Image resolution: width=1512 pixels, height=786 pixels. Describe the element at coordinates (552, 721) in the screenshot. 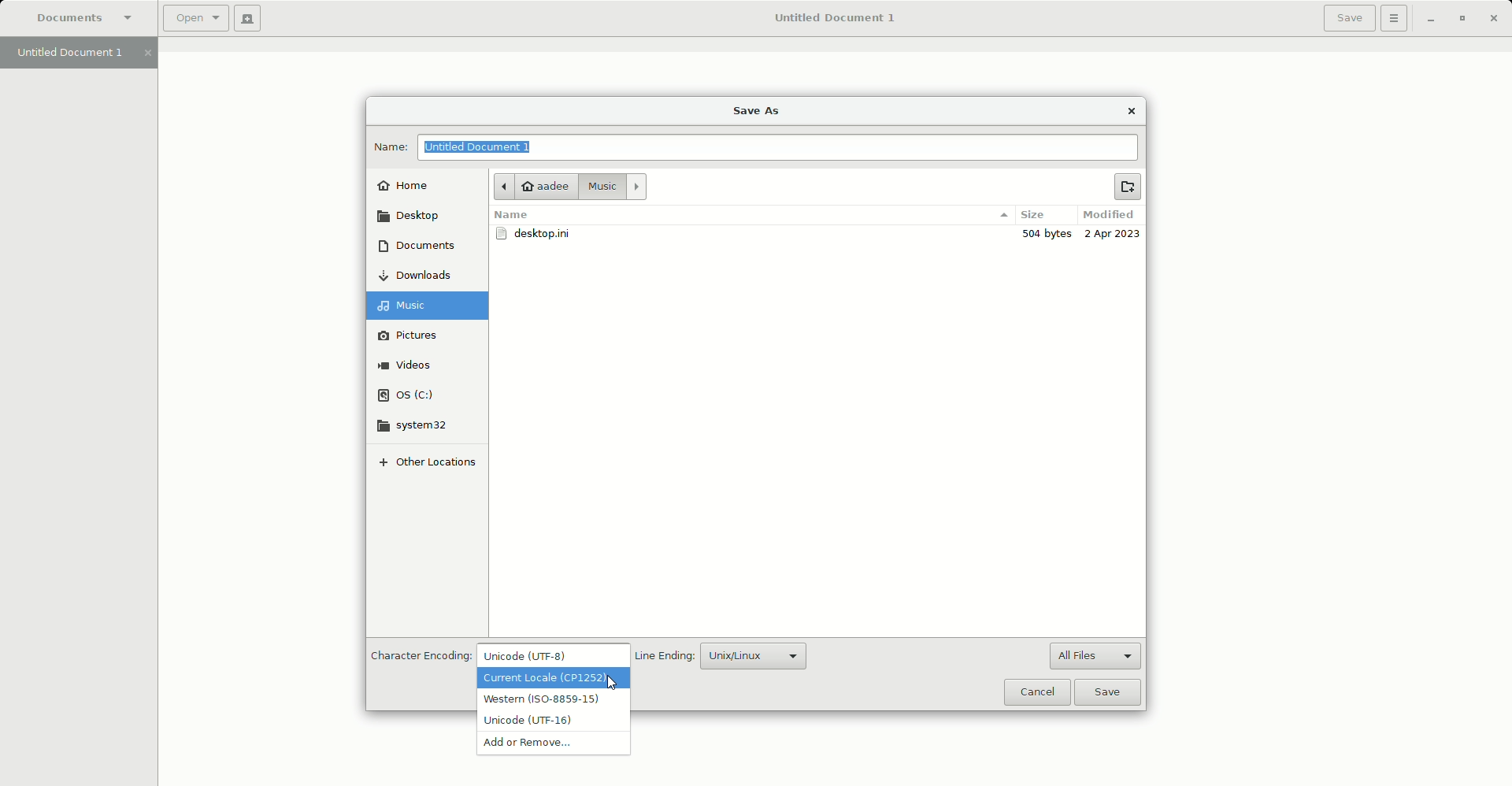

I see `Unicode` at that location.